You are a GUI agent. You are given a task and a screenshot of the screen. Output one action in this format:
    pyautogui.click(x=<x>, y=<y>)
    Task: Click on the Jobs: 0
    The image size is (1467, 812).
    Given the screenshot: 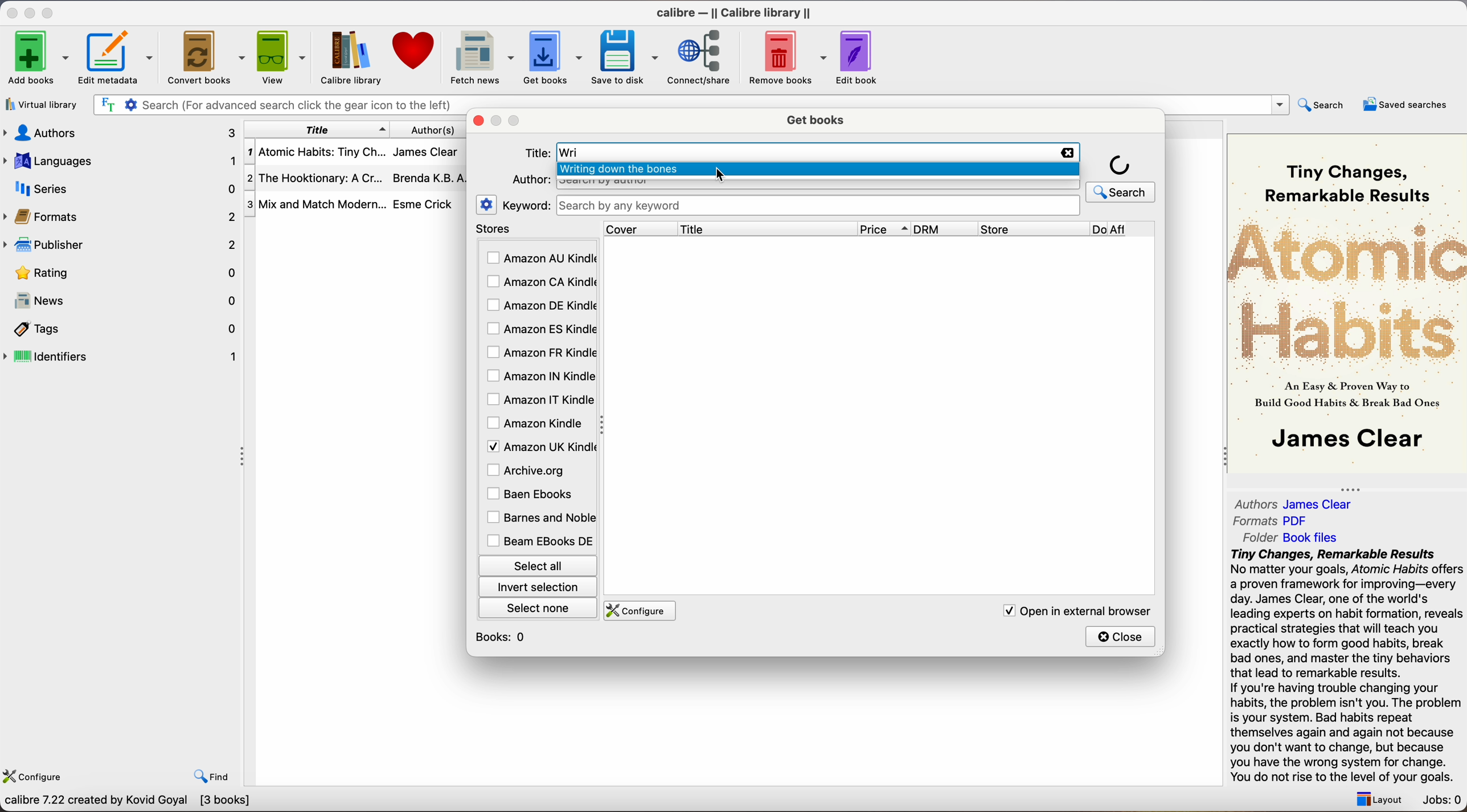 What is the action you would take?
    pyautogui.click(x=1443, y=801)
    